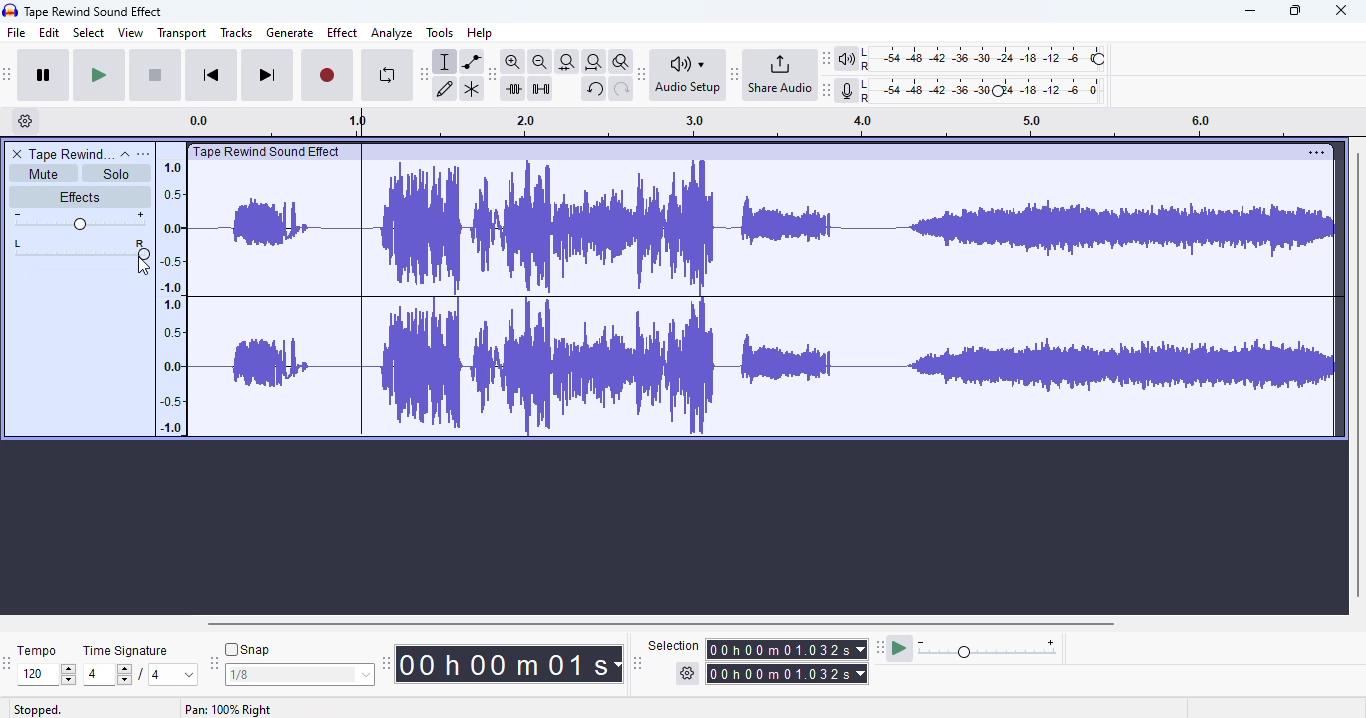 This screenshot has width=1366, height=718. Describe the element at coordinates (691, 75) in the screenshot. I see `audio setup` at that location.